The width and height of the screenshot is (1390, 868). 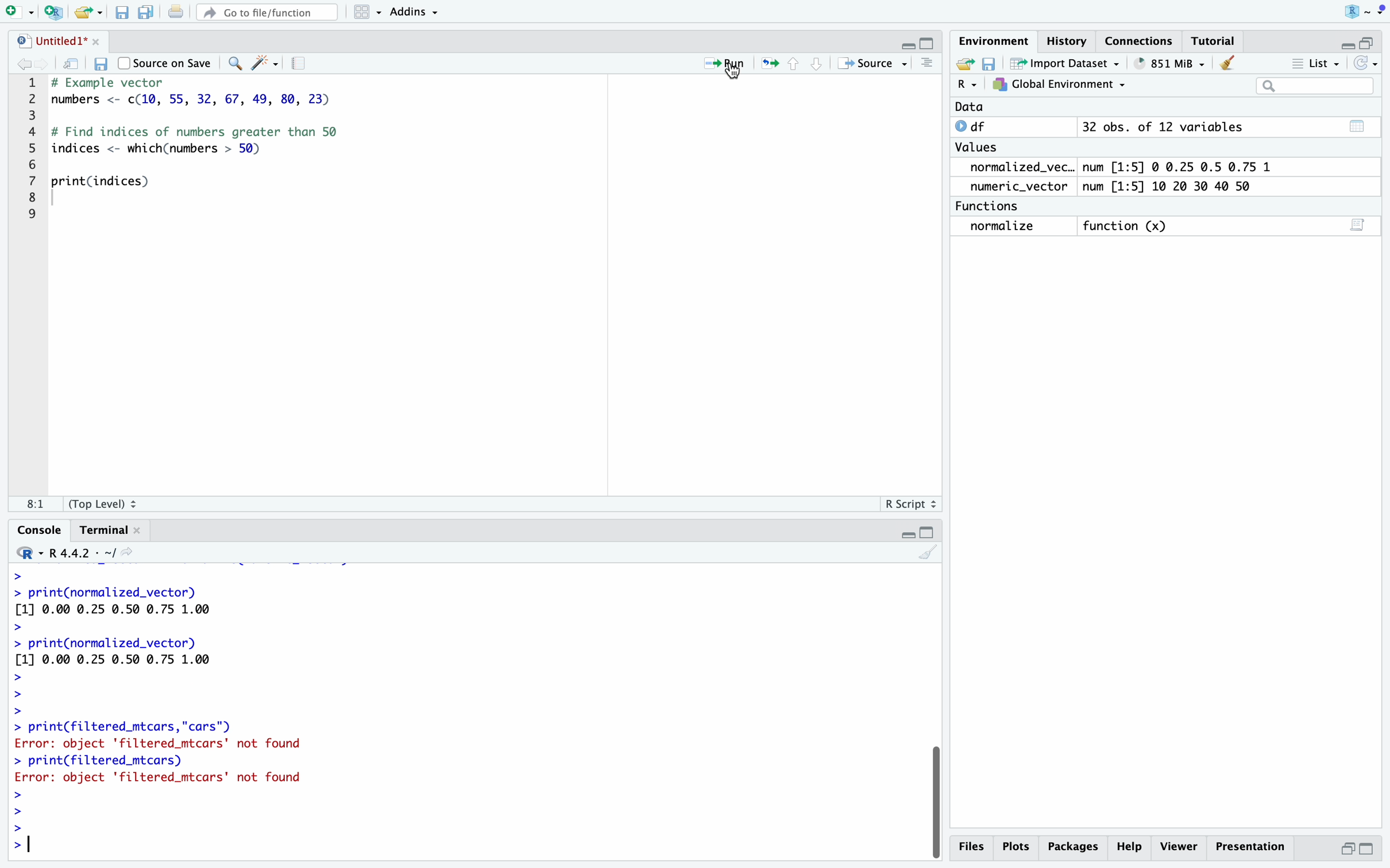 What do you see at coordinates (32, 529) in the screenshot?
I see `Console` at bounding box center [32, 529].